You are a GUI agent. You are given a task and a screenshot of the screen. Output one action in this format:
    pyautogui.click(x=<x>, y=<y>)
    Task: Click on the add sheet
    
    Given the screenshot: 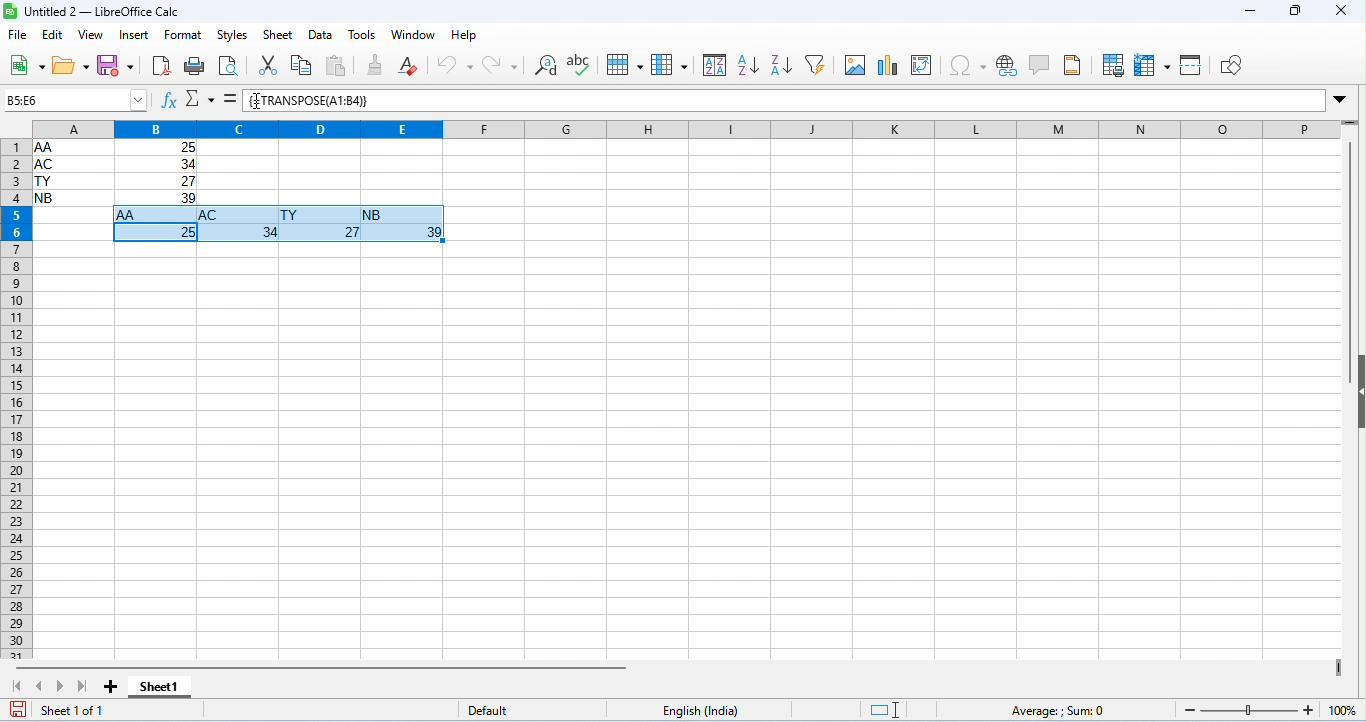 What is the action you would take?
    pyautogui.click(x=114, y=687)
    